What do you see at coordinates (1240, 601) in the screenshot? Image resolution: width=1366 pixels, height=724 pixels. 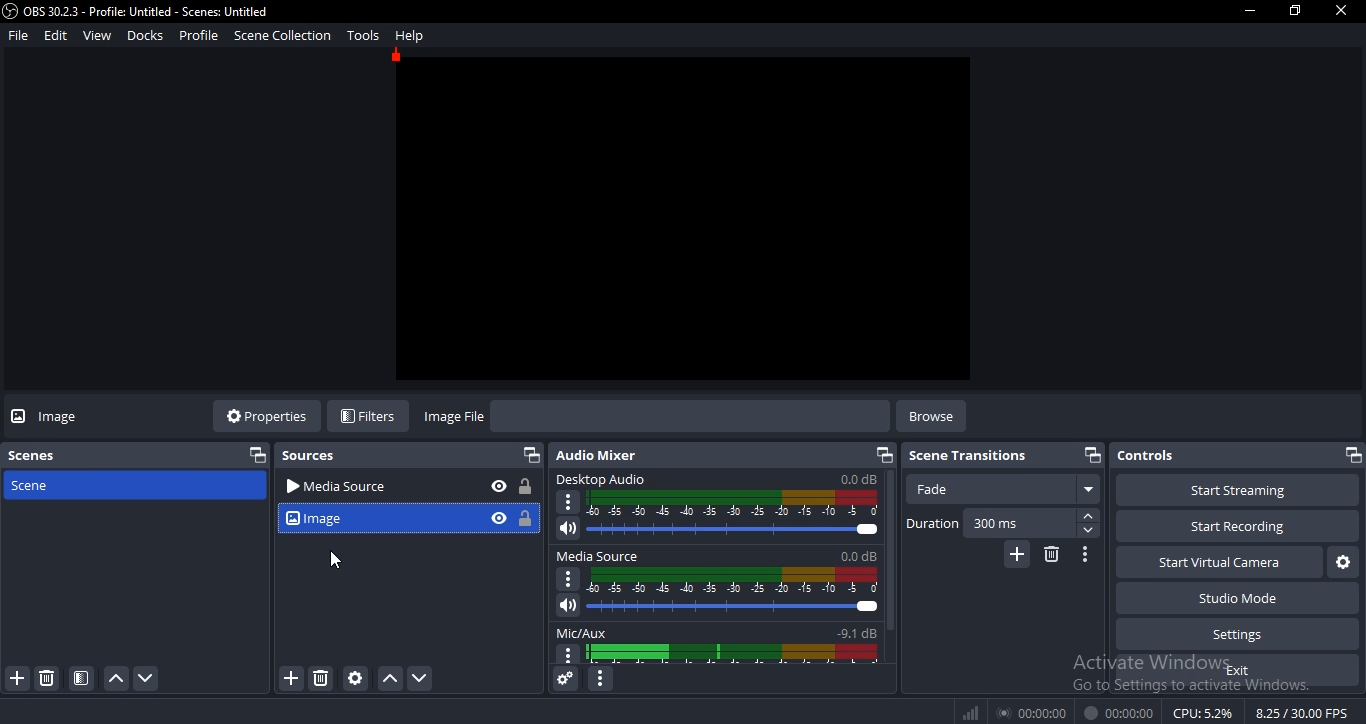 I see `studio mode` at bounding box center [1240, 601].